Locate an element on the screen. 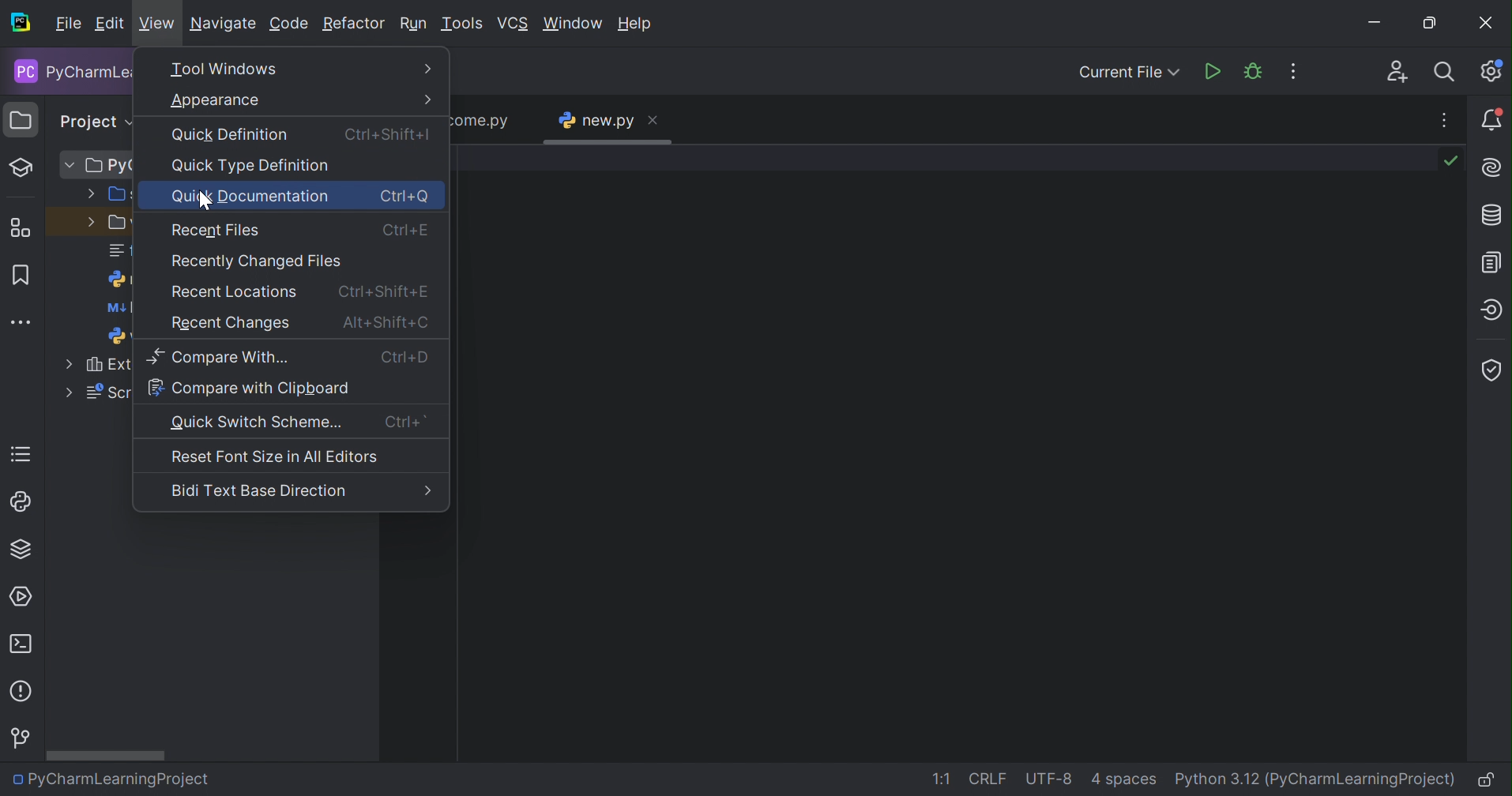 The width and height of the screenshot is (1512, 796). TODO is located at coordinates (19, 454).